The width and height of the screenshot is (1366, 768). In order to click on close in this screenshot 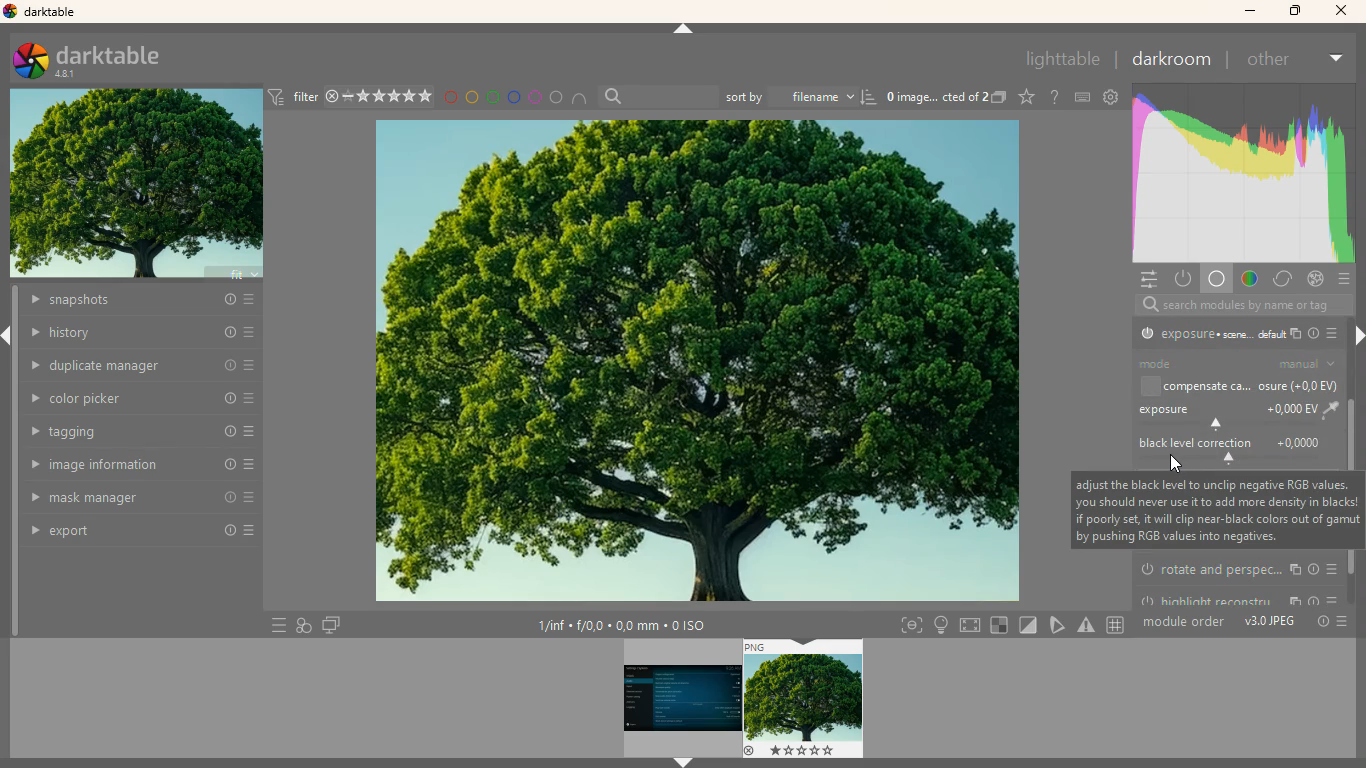, I will do `click(1341, 10)`.